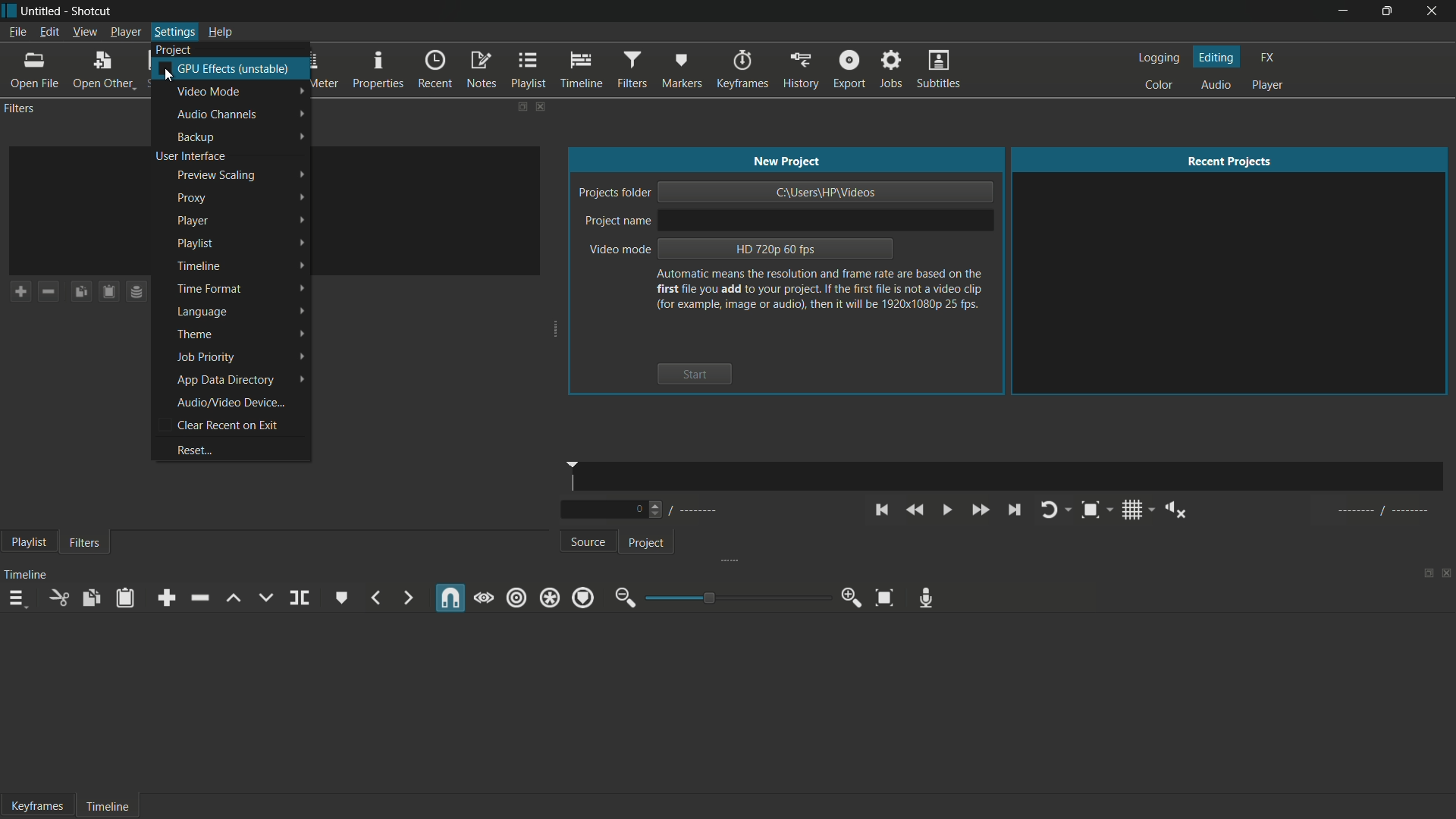 The image size is (1456, 819). Describe the element at coordinates (801, 70) in the screenshot. I see `history` at that location.